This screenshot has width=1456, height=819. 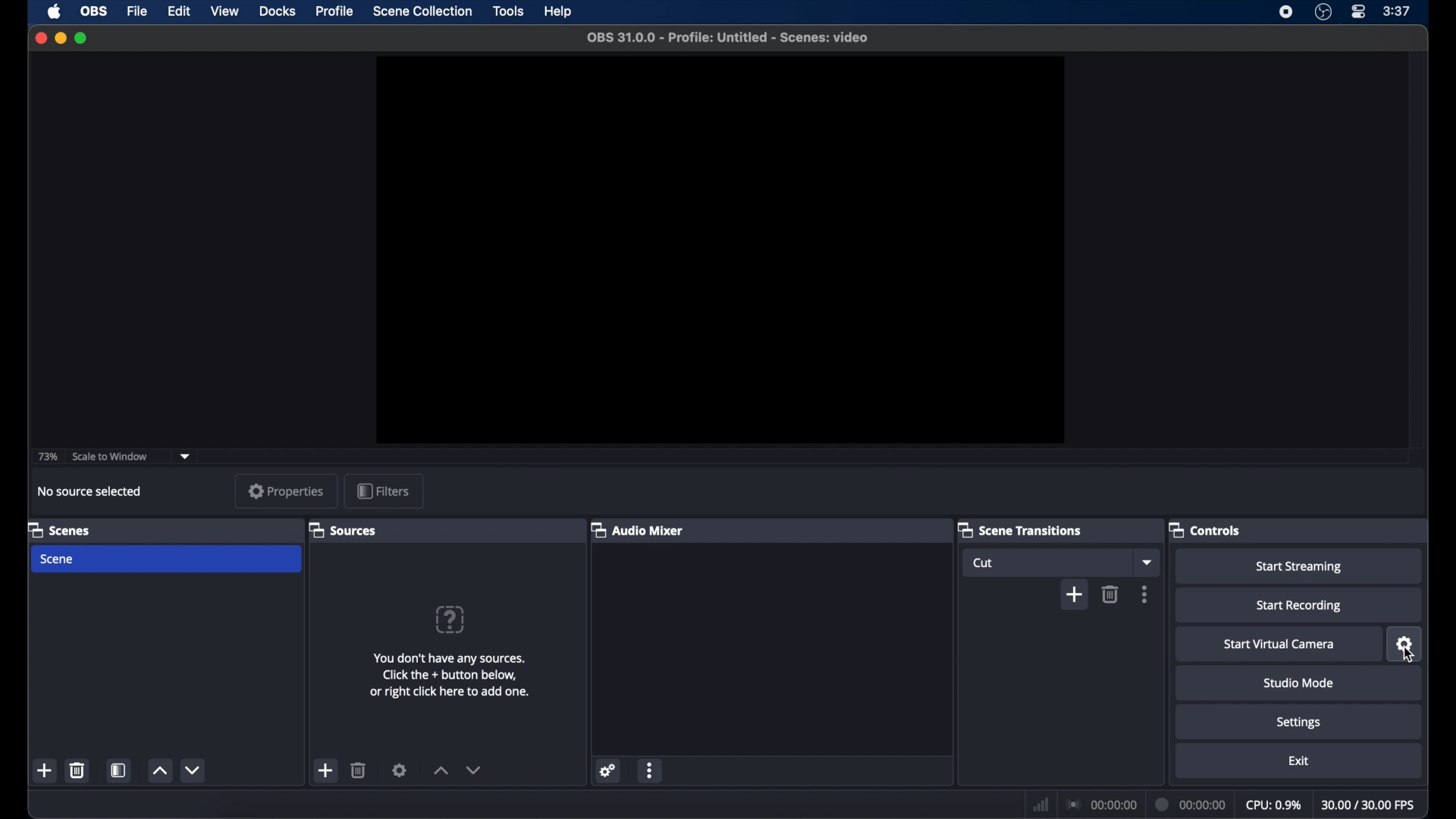 What do you see at coordinates (224, 11) in the screenshot?
I see `view` at bounding box center [224, 11].